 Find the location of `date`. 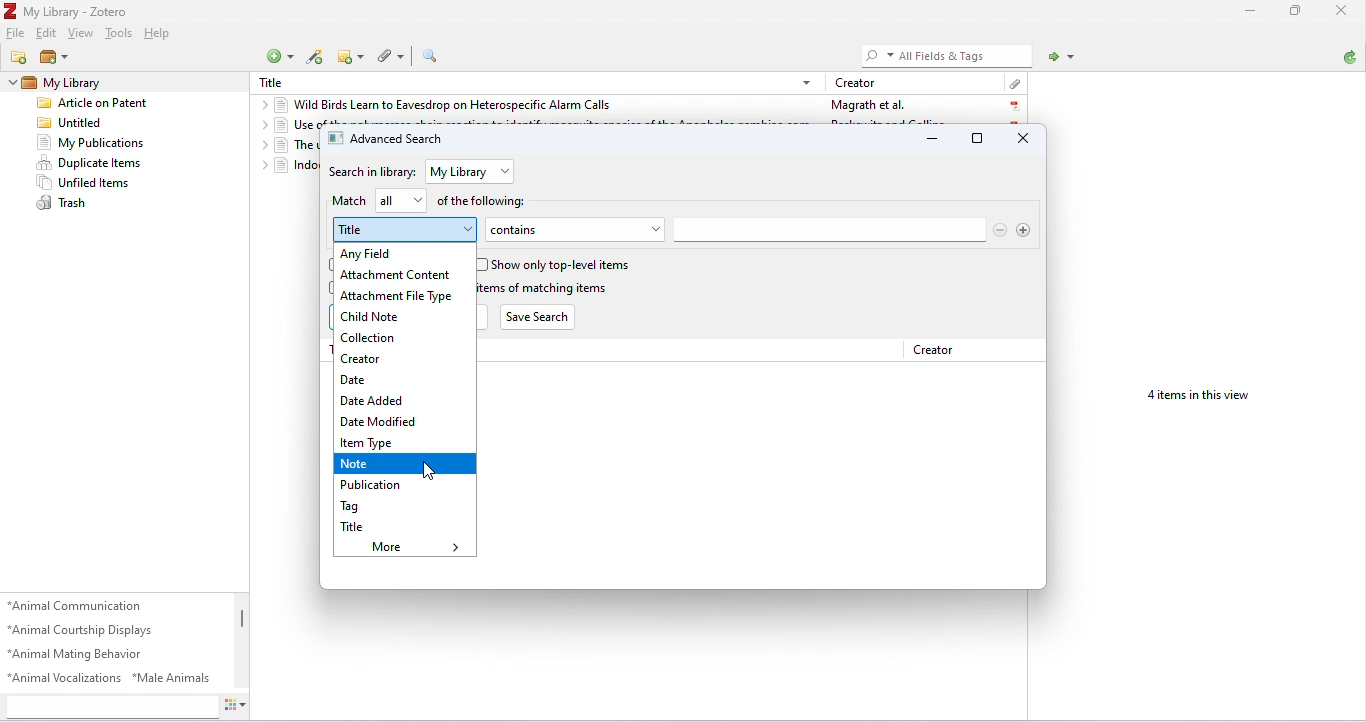

date is located at coordinates (357, 381).